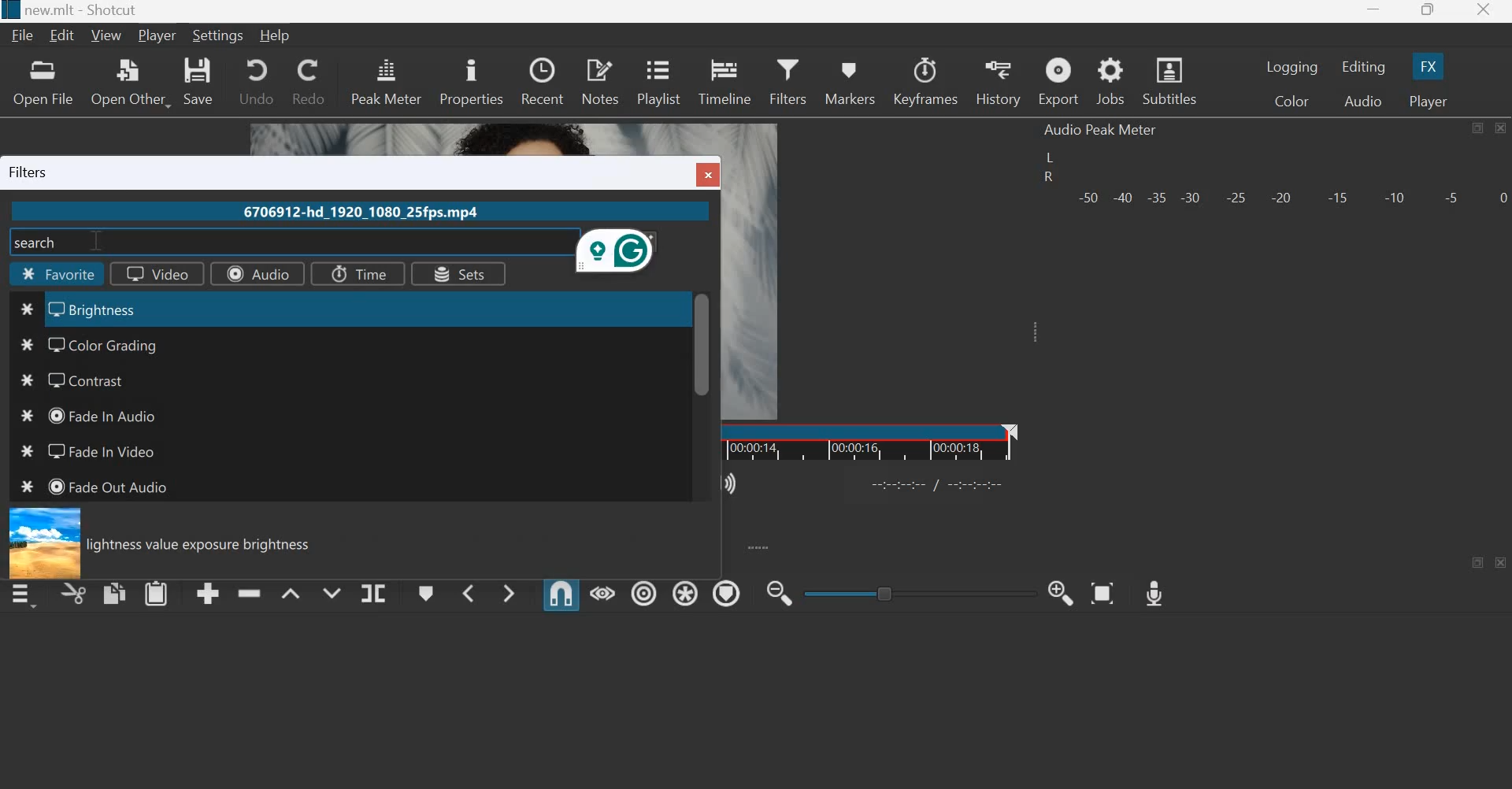 The width and height of the screenshot is (1512, 789). I want to click on Edit, so click(65, 35).